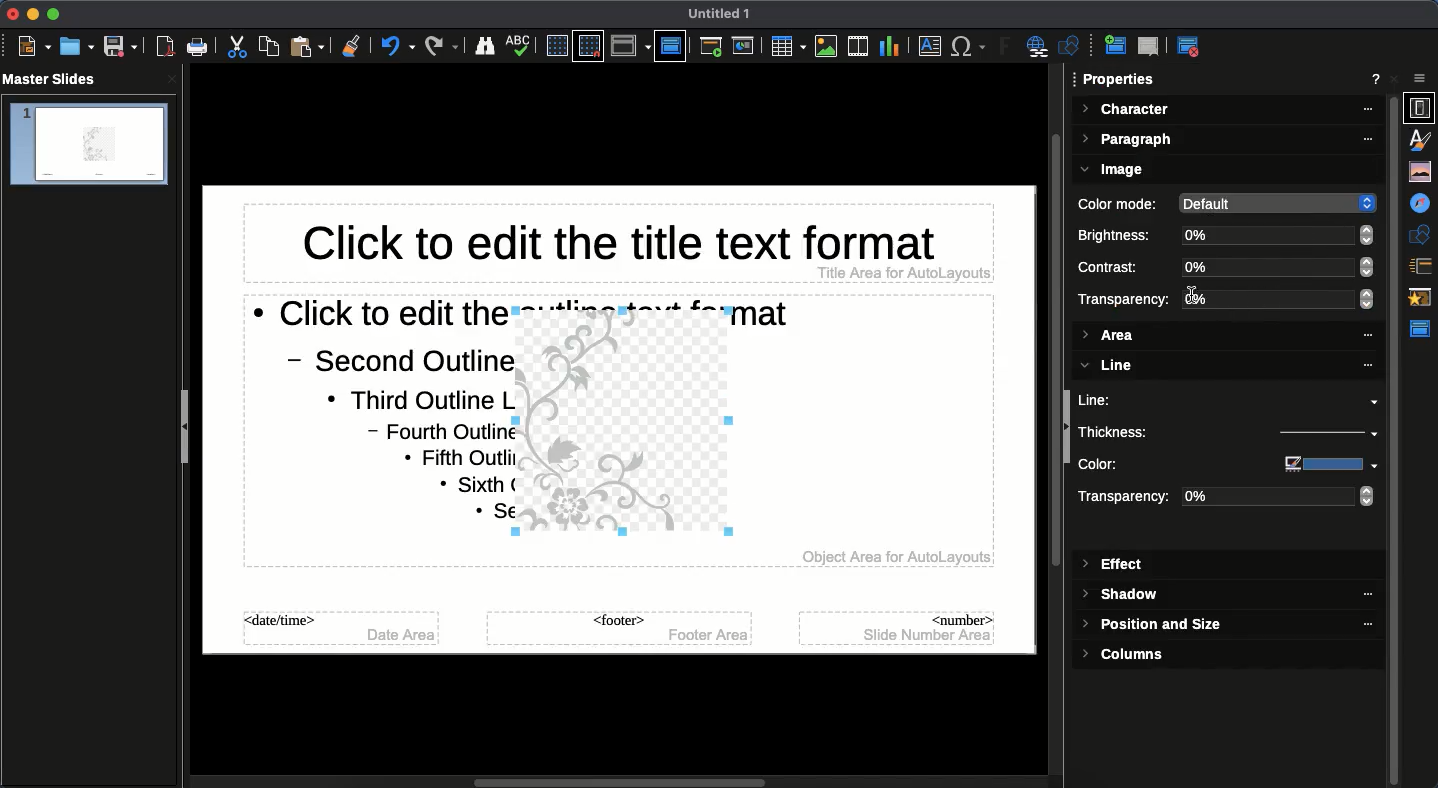 Image resolution: width=1438 pixels, height=788 pixels. Describe the element at coordinates (1233, 400) in the screenshot. I see `Line` at that location.